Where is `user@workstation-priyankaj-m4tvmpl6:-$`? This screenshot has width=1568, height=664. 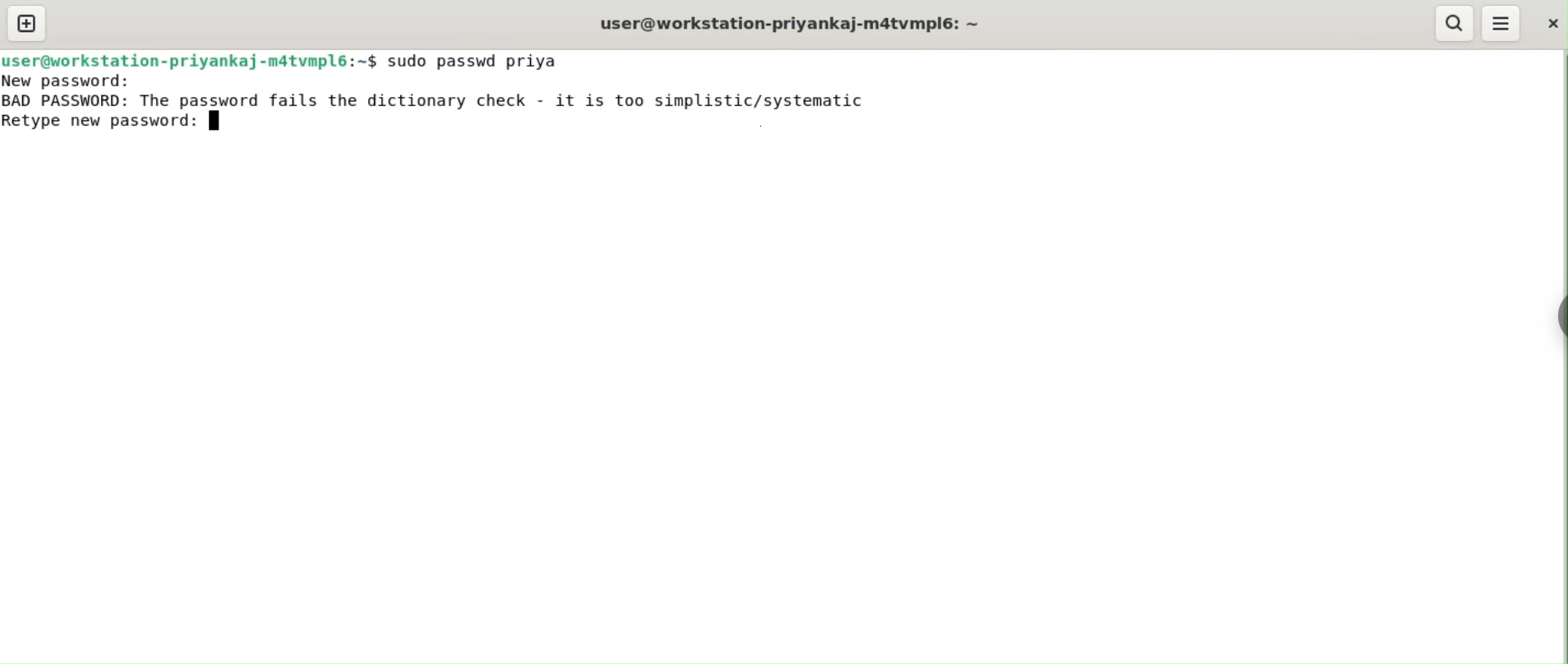
user@workstation-priyankaj-m4tvmpl6:-$ is located at coordinates (801, 22).